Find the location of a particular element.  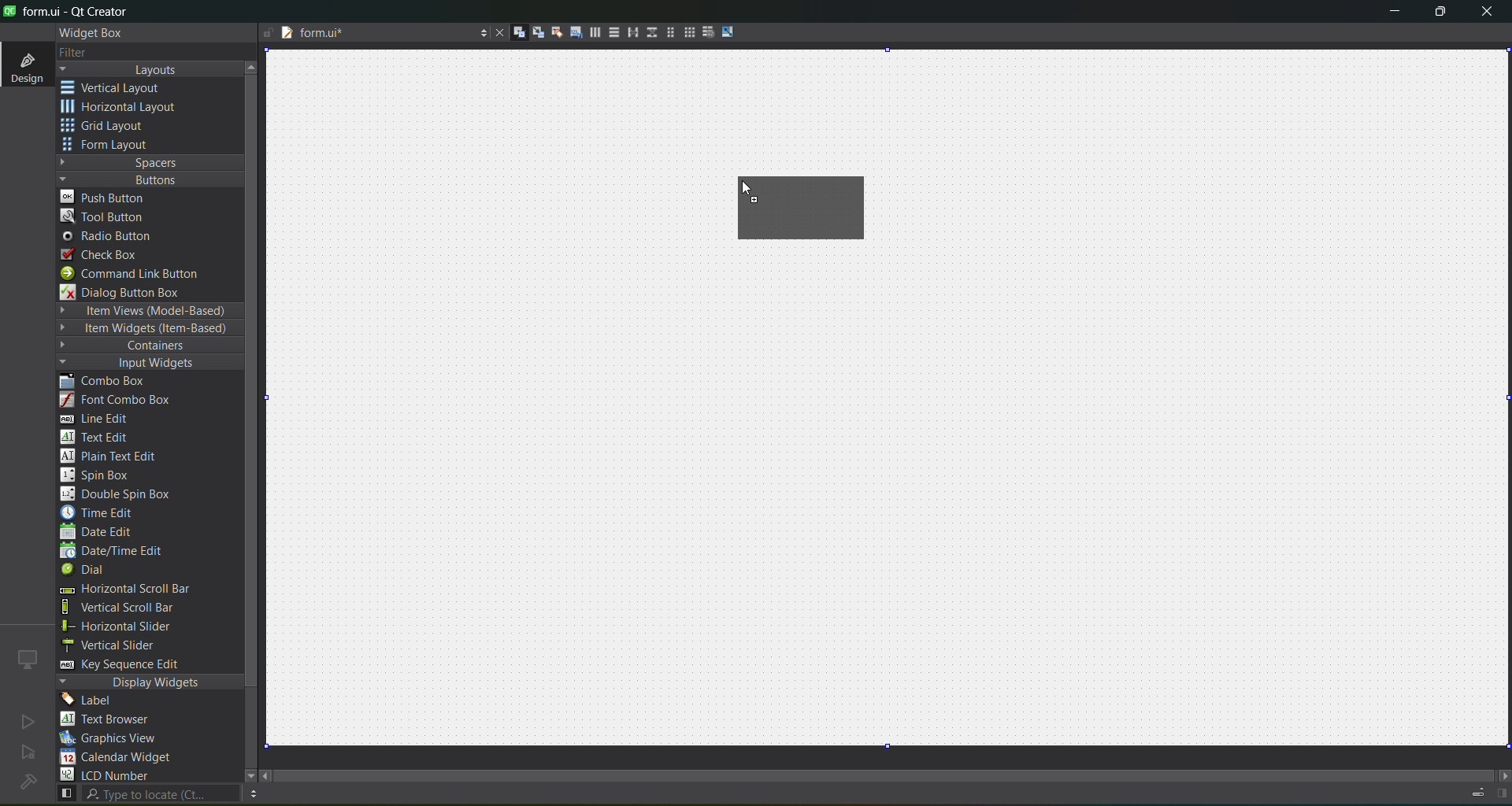

item widgets is located at coordinates (146, 329).